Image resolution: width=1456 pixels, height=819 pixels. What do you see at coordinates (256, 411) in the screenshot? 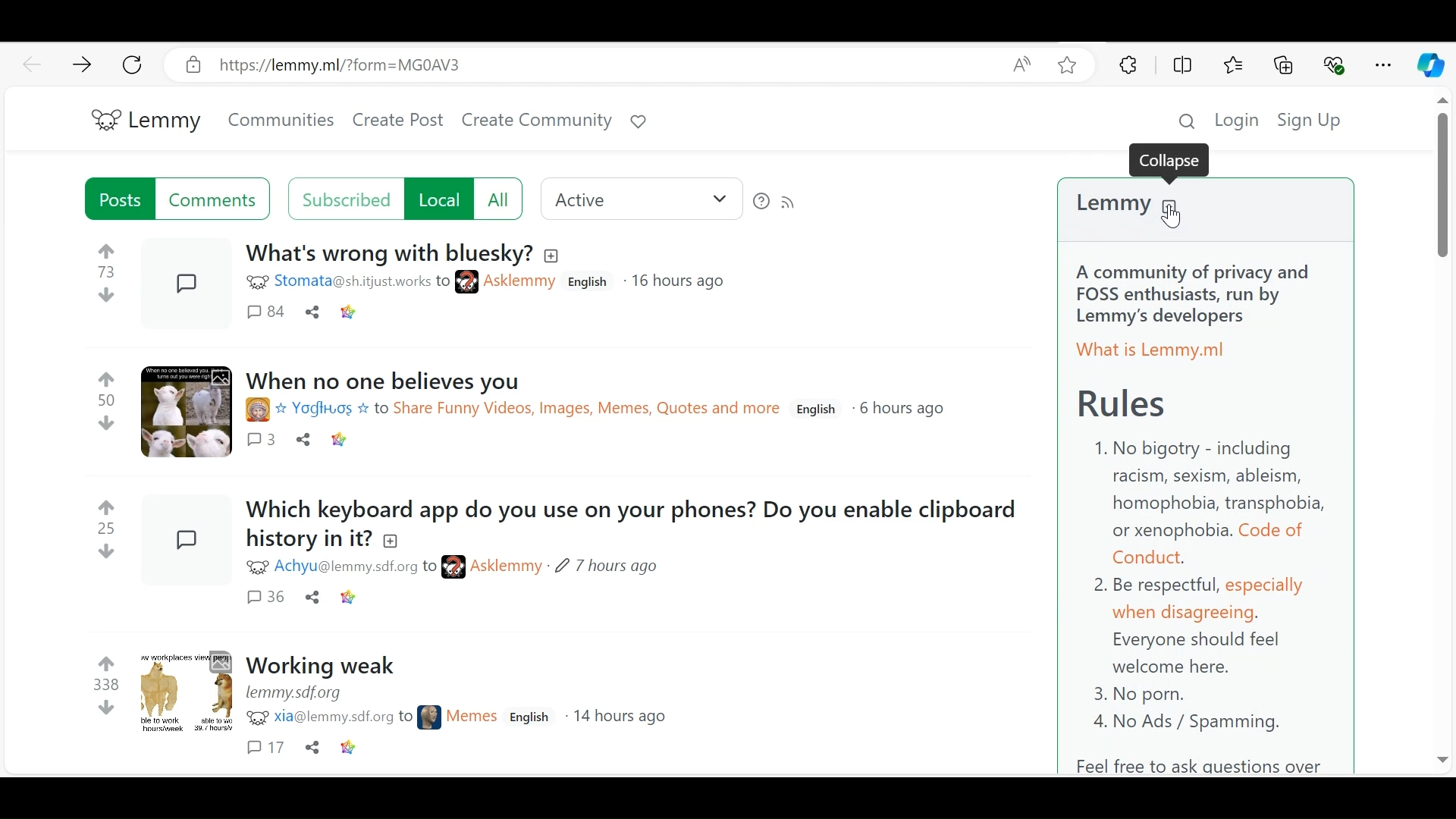
I see `icon` at bounding box center [256, 411].